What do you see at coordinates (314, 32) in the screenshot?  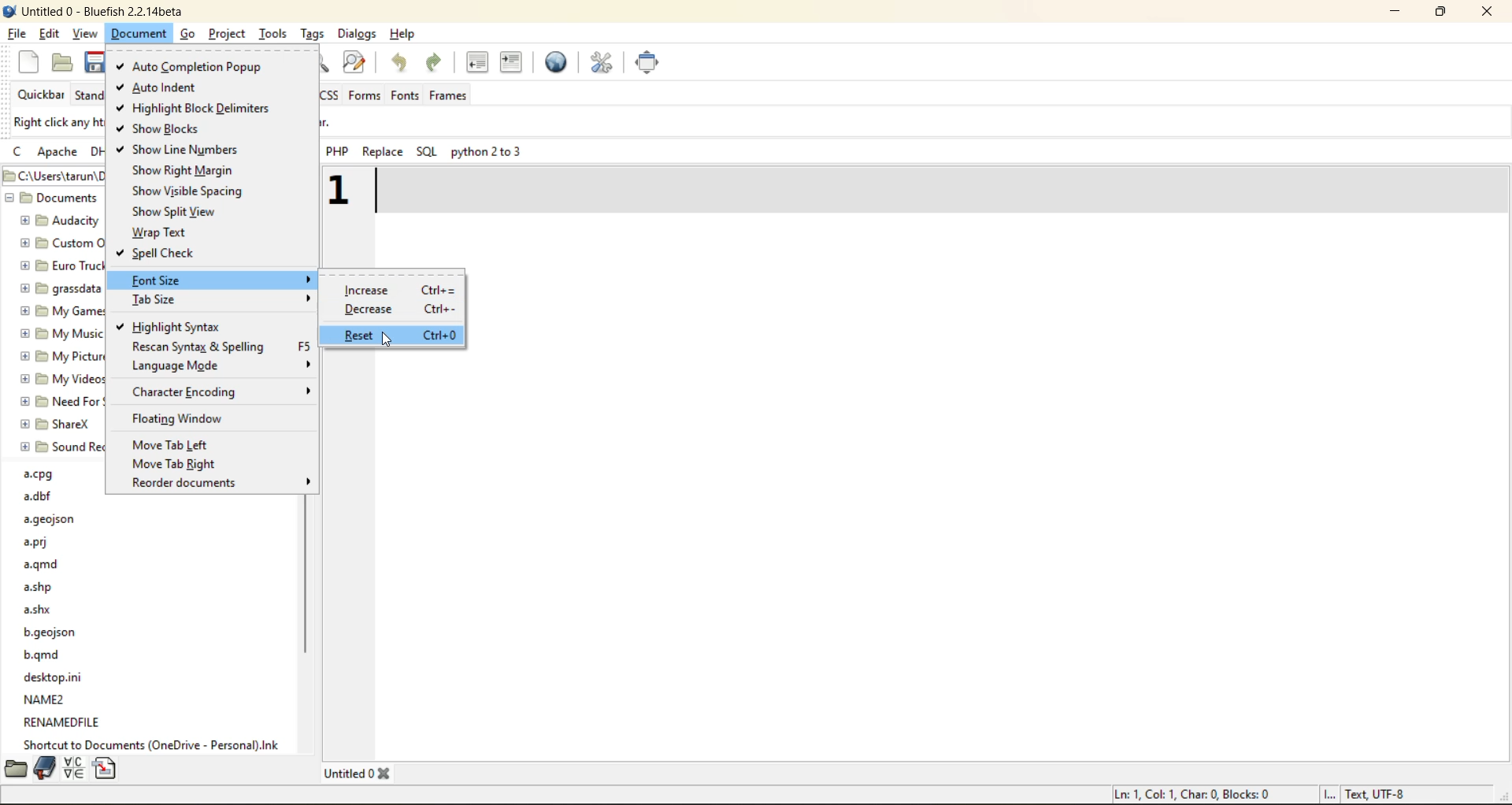 I see `tags` at bounding box center [314, 32].